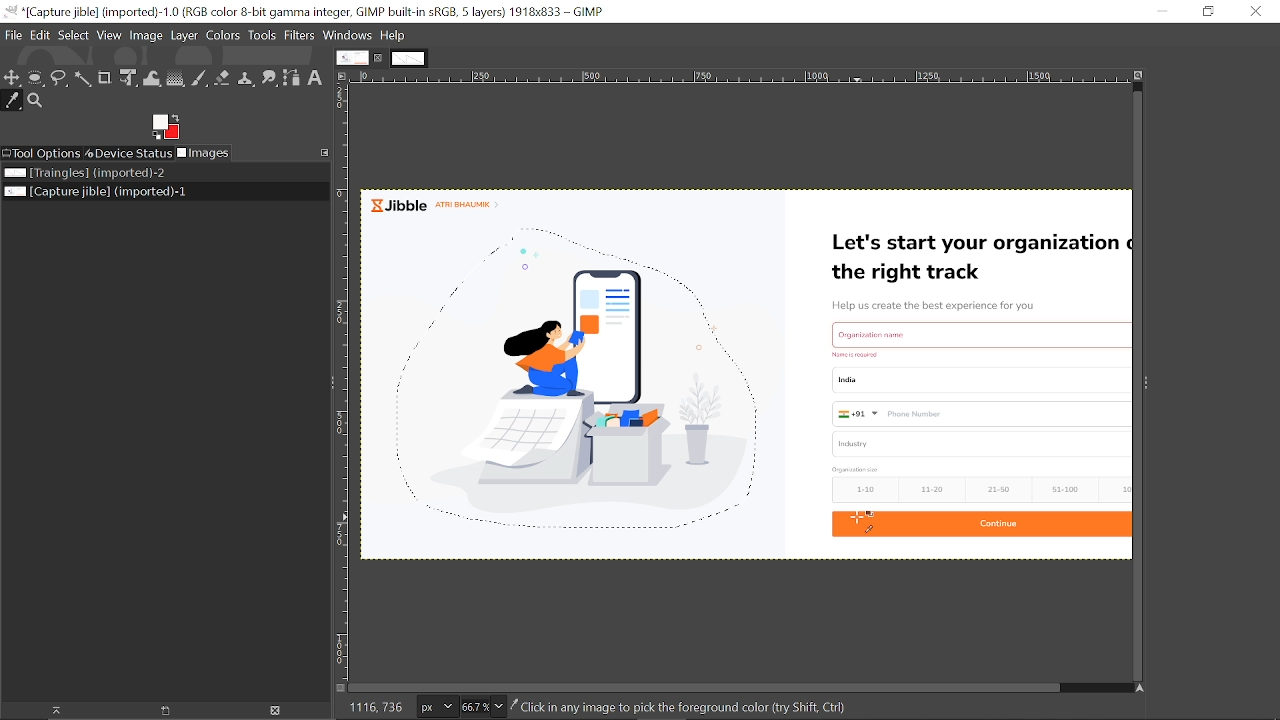 Image resolution: width=1280 pixels, height=720 pixels. I want to click on CLose display, so click(276, 710).